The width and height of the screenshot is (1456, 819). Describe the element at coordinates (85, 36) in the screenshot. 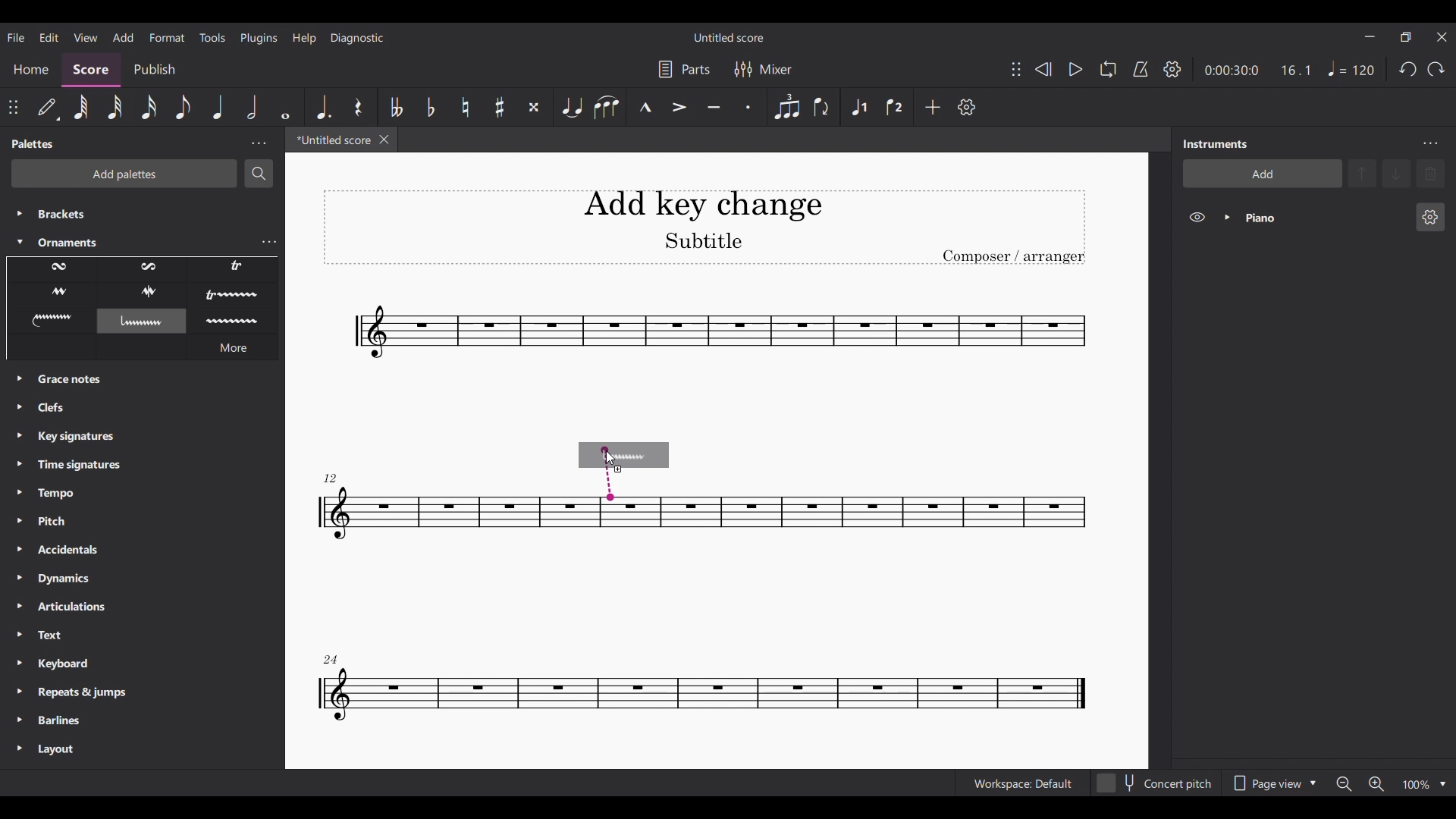

I see `View menu` at that location.